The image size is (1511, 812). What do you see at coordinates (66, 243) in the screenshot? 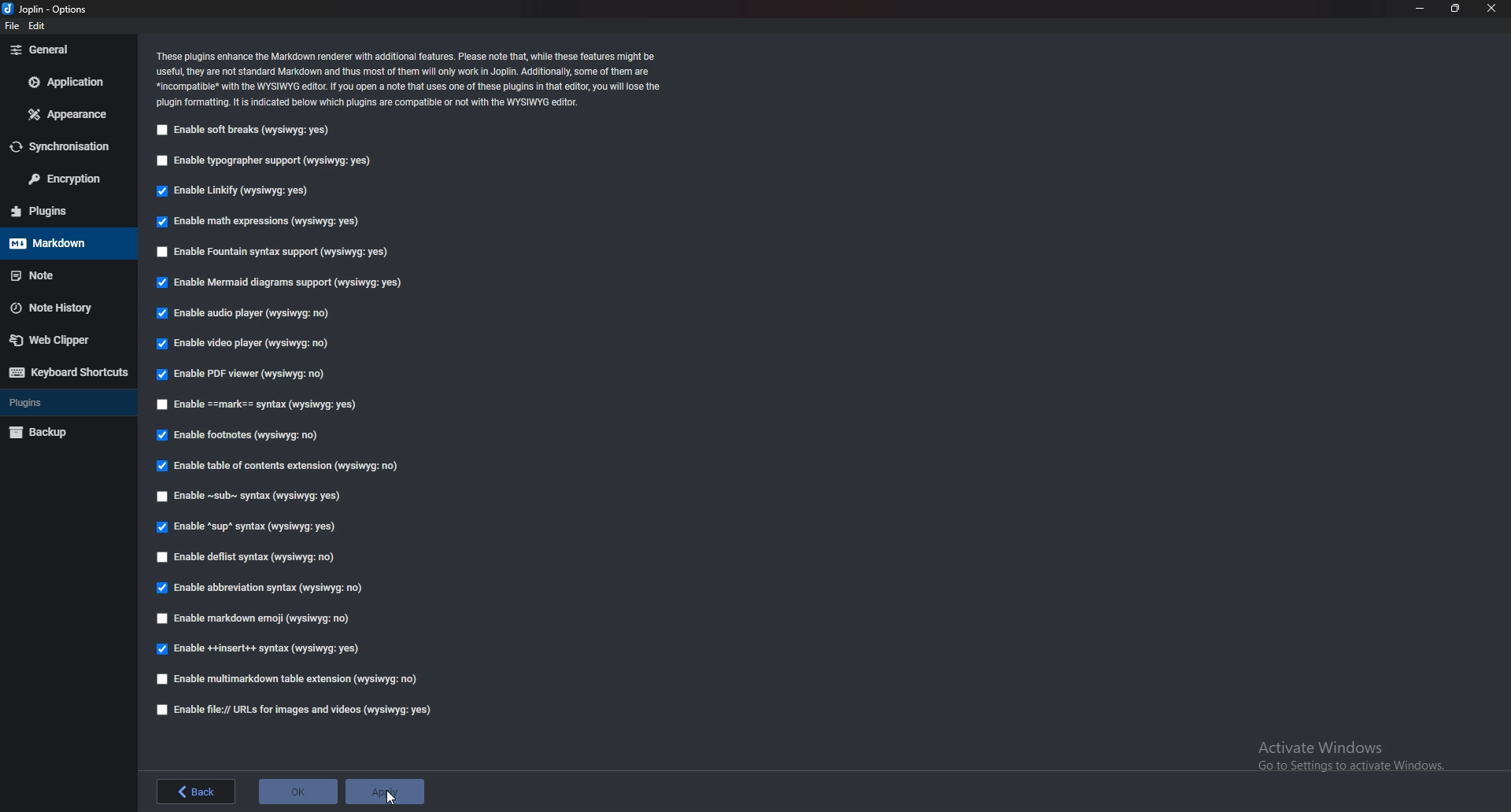
I see `markdown` at bounding box center [66, 243].